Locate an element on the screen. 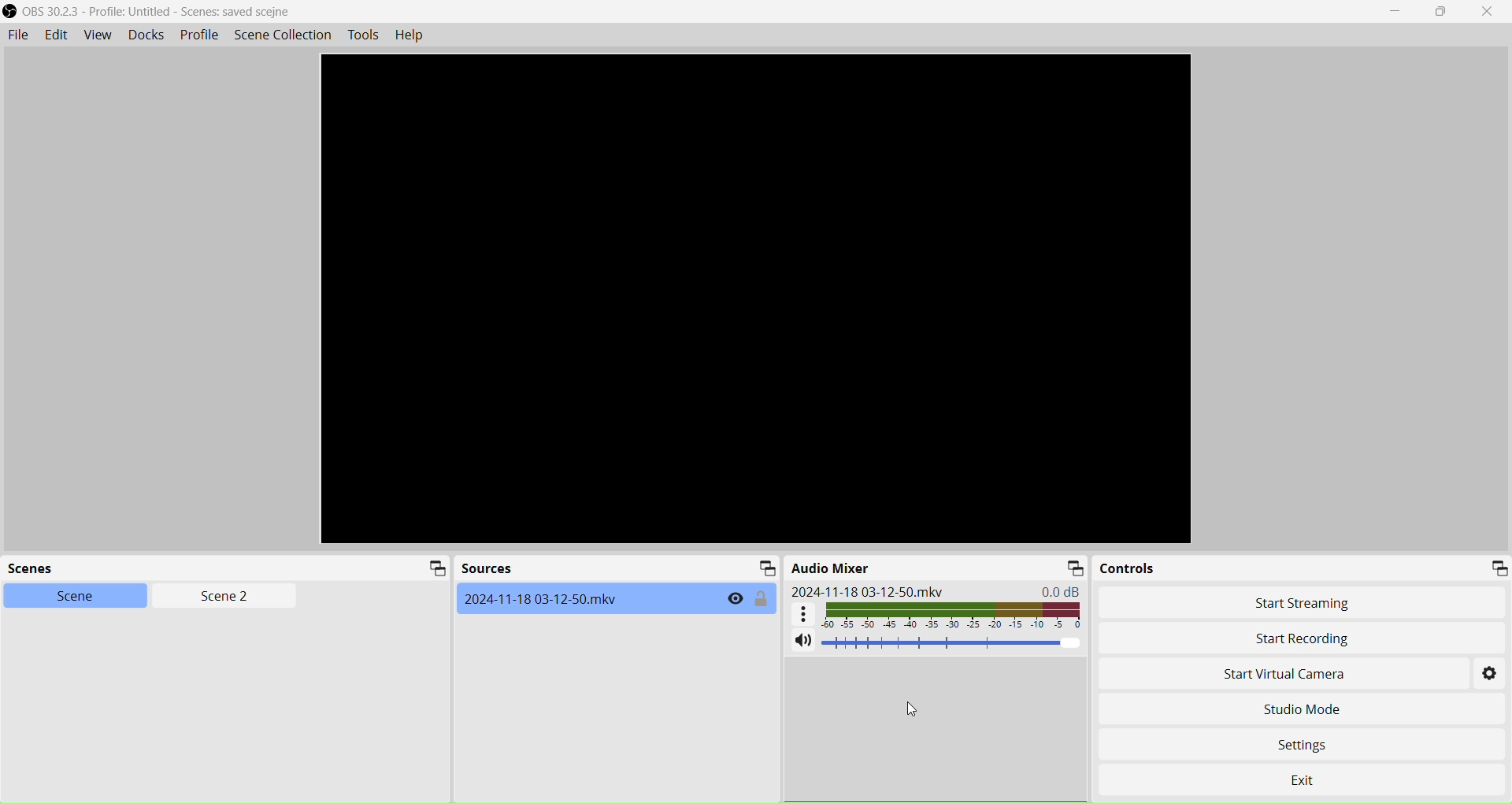 This screenshot has width=1512, height=803. Start Virtual Camera is located at coordinates (1262, 675).